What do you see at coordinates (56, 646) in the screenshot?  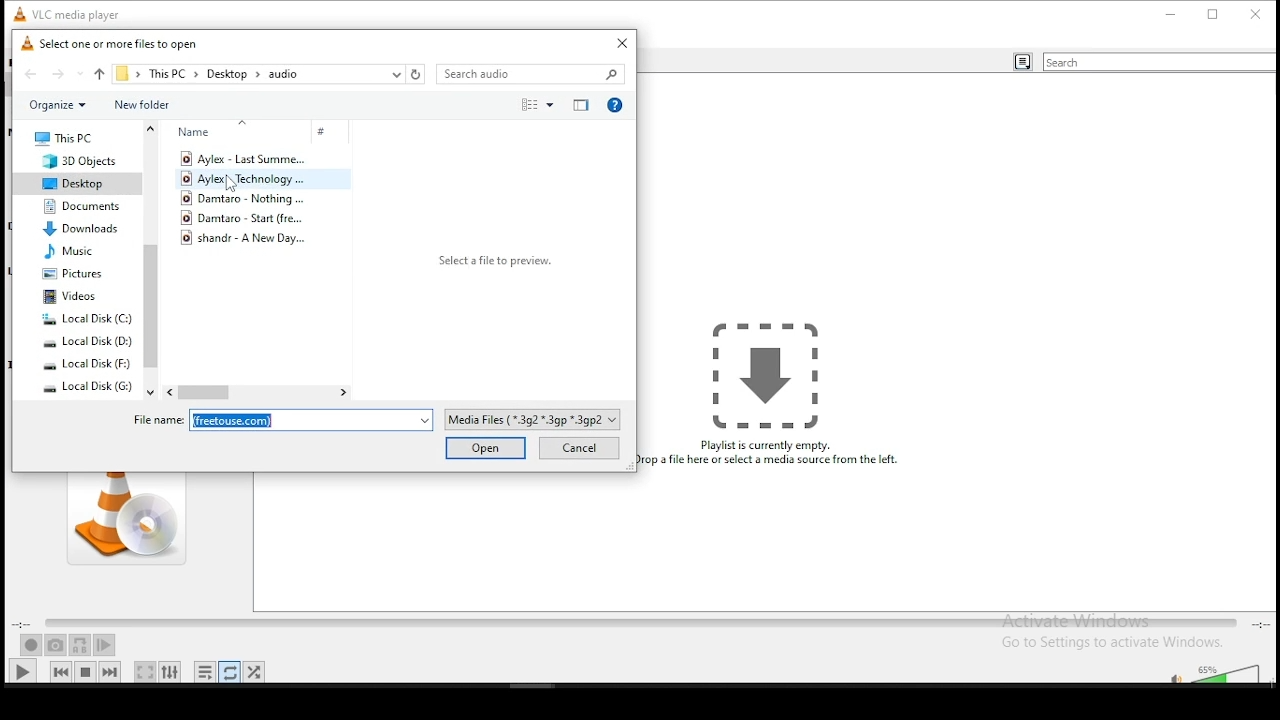 I see `take a snapshot` at bounding box center [56, 646].